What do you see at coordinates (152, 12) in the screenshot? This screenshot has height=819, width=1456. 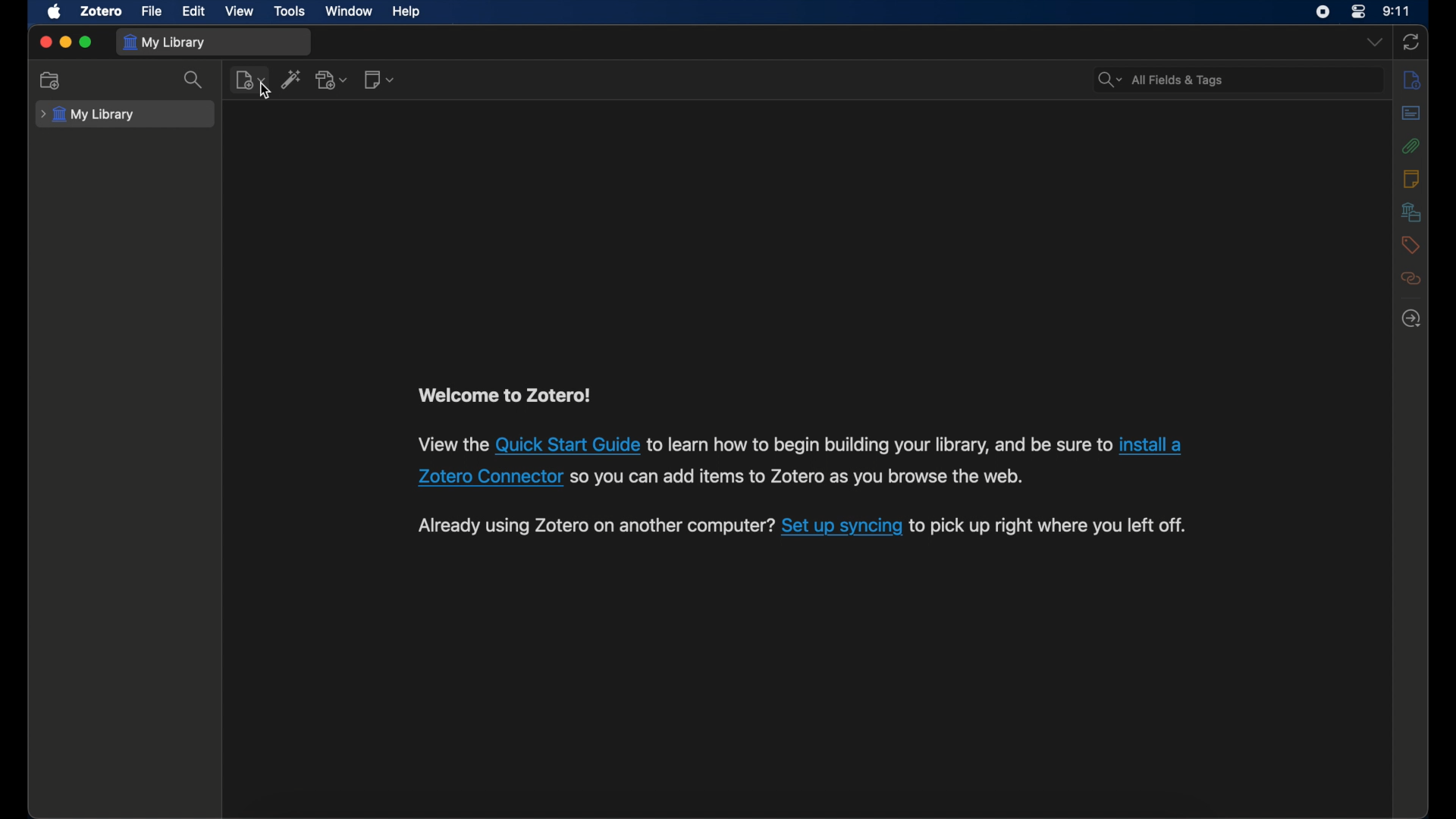 I see `file` at bounding box center [152, 12].